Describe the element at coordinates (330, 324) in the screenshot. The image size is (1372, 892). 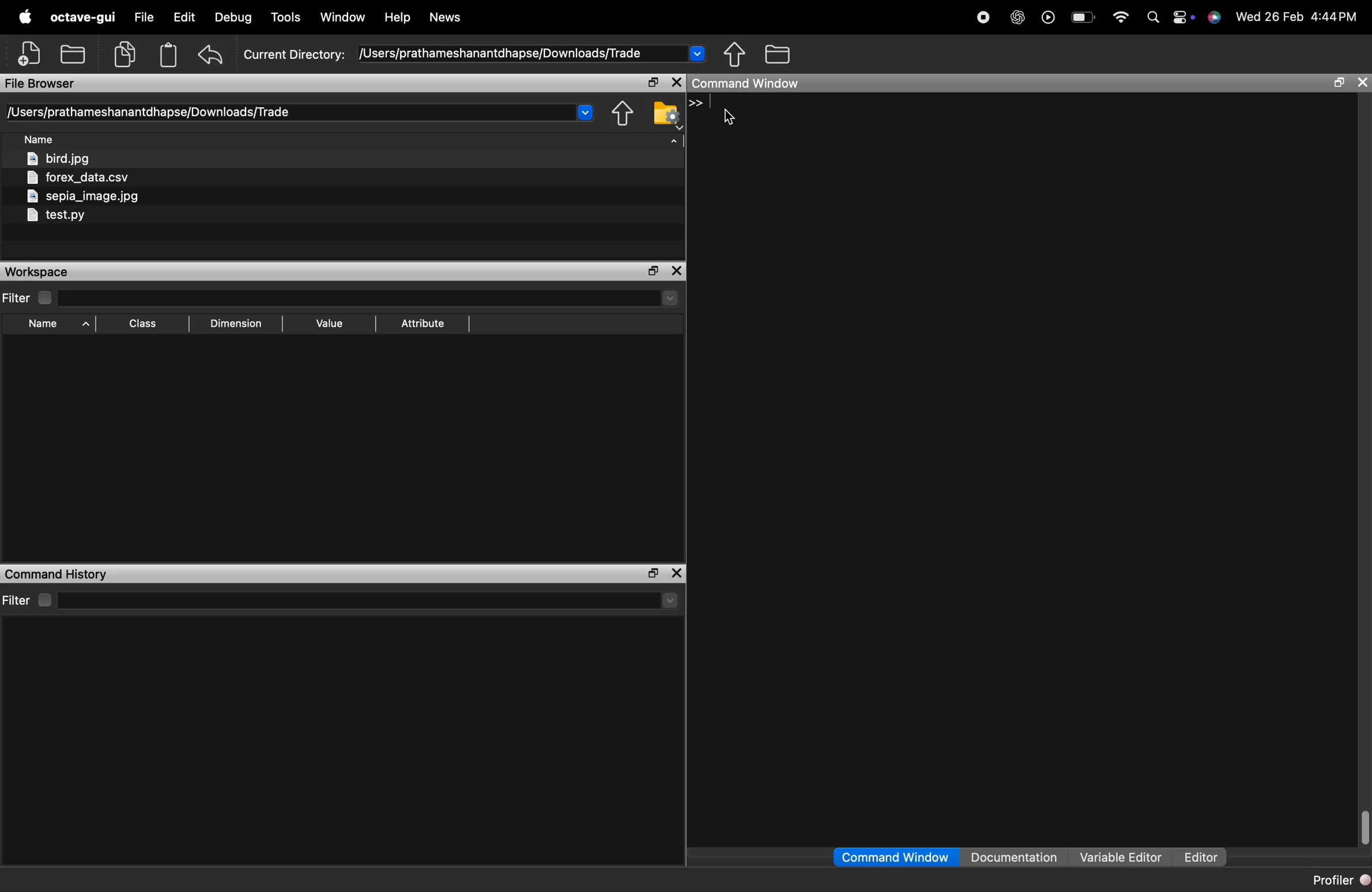
I see `Value` at that location.